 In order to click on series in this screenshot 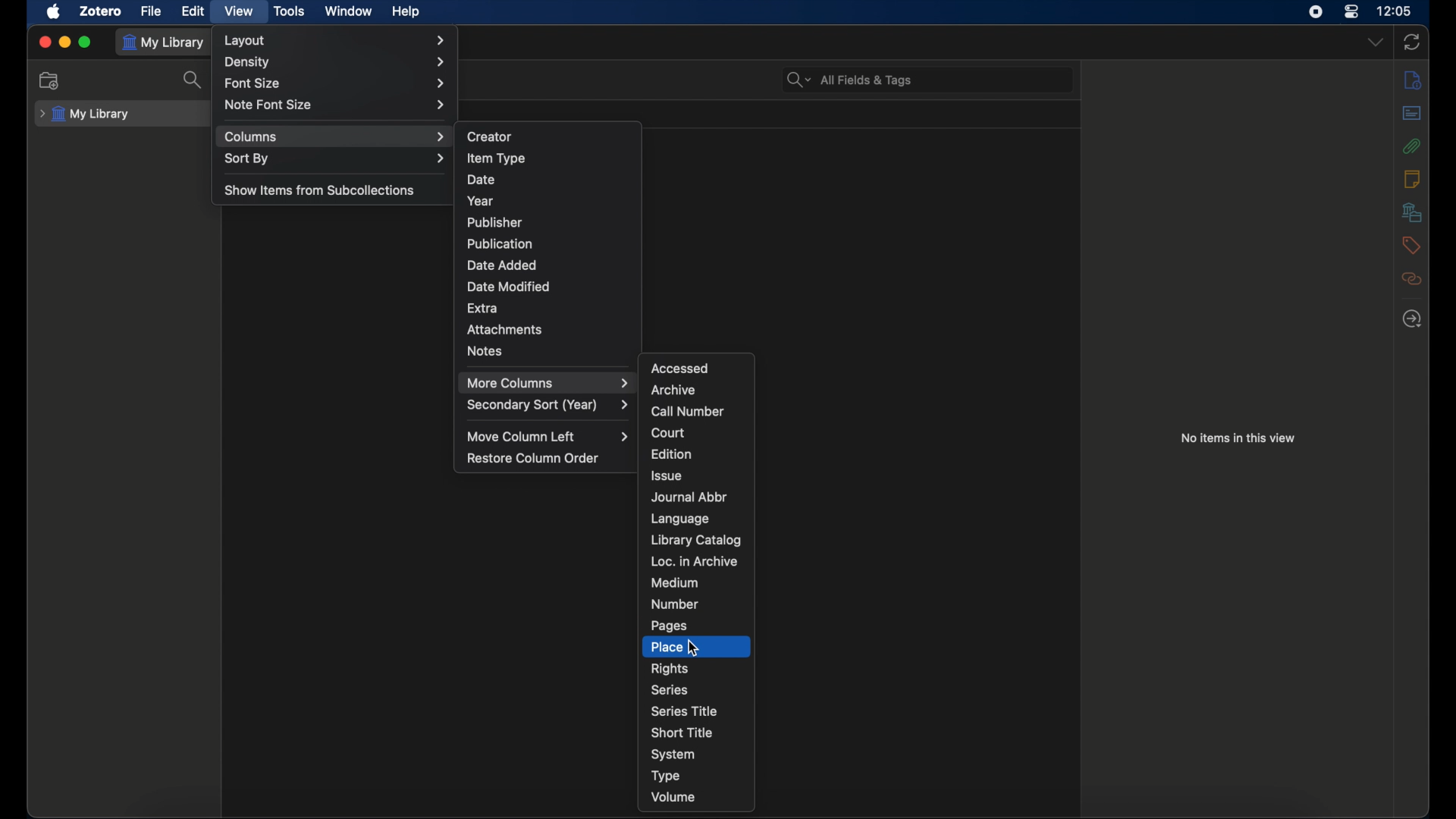, I will do `click(669, 690)`.